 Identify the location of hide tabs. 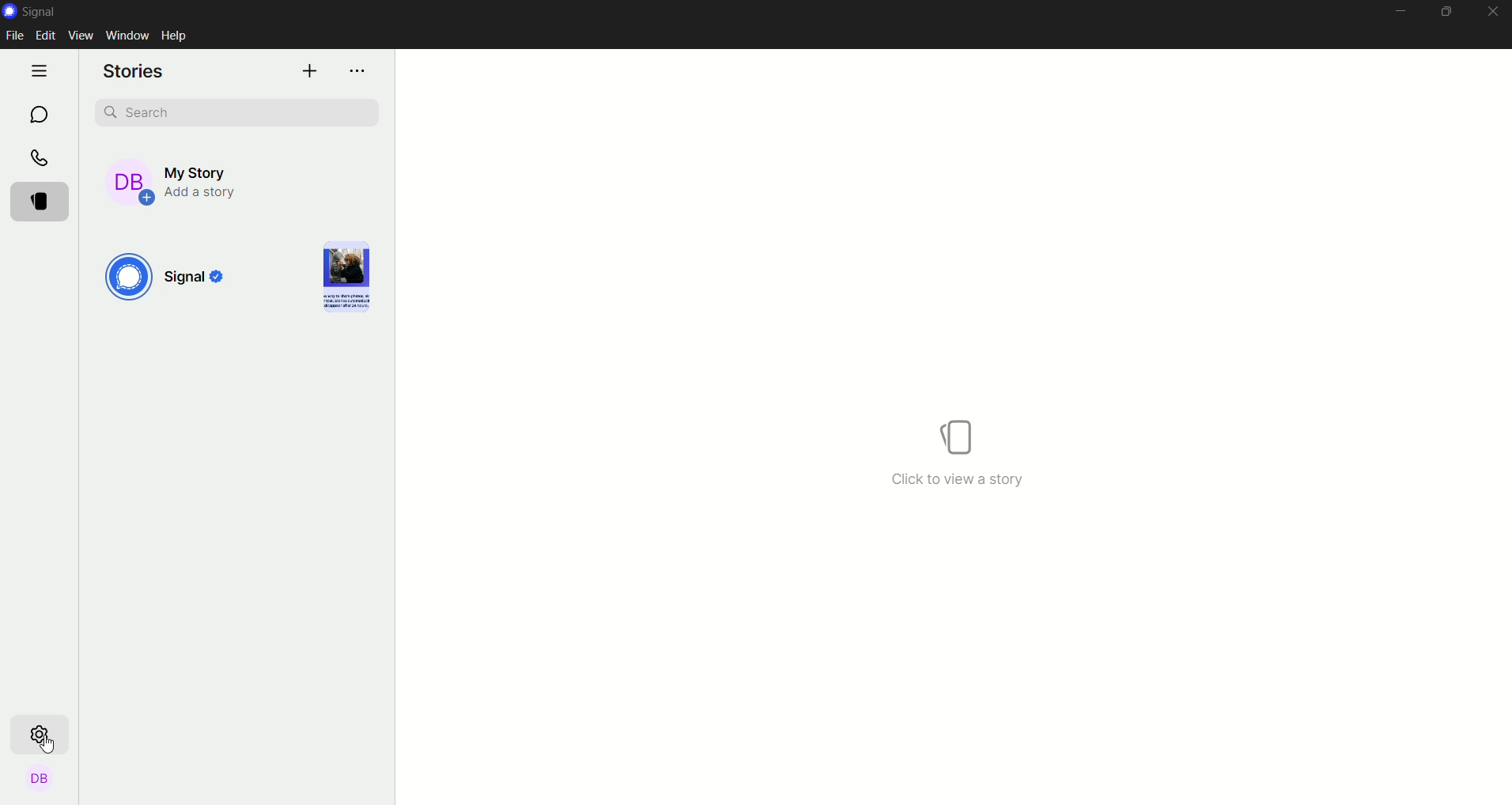
(42, 70).